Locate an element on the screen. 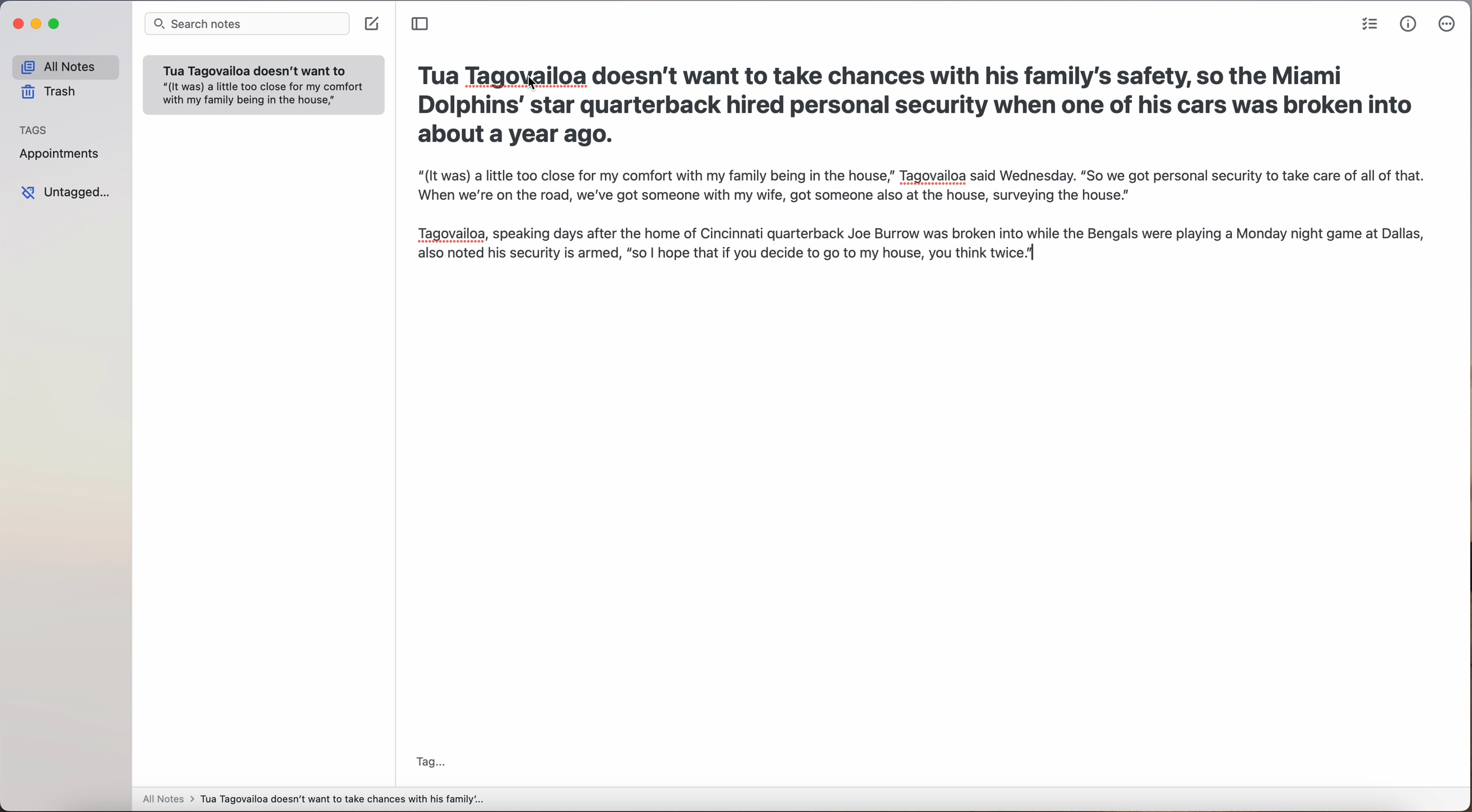 This screenshot has height=812, width=1472. maximize Simplenote is located at coordinates (56, 24).